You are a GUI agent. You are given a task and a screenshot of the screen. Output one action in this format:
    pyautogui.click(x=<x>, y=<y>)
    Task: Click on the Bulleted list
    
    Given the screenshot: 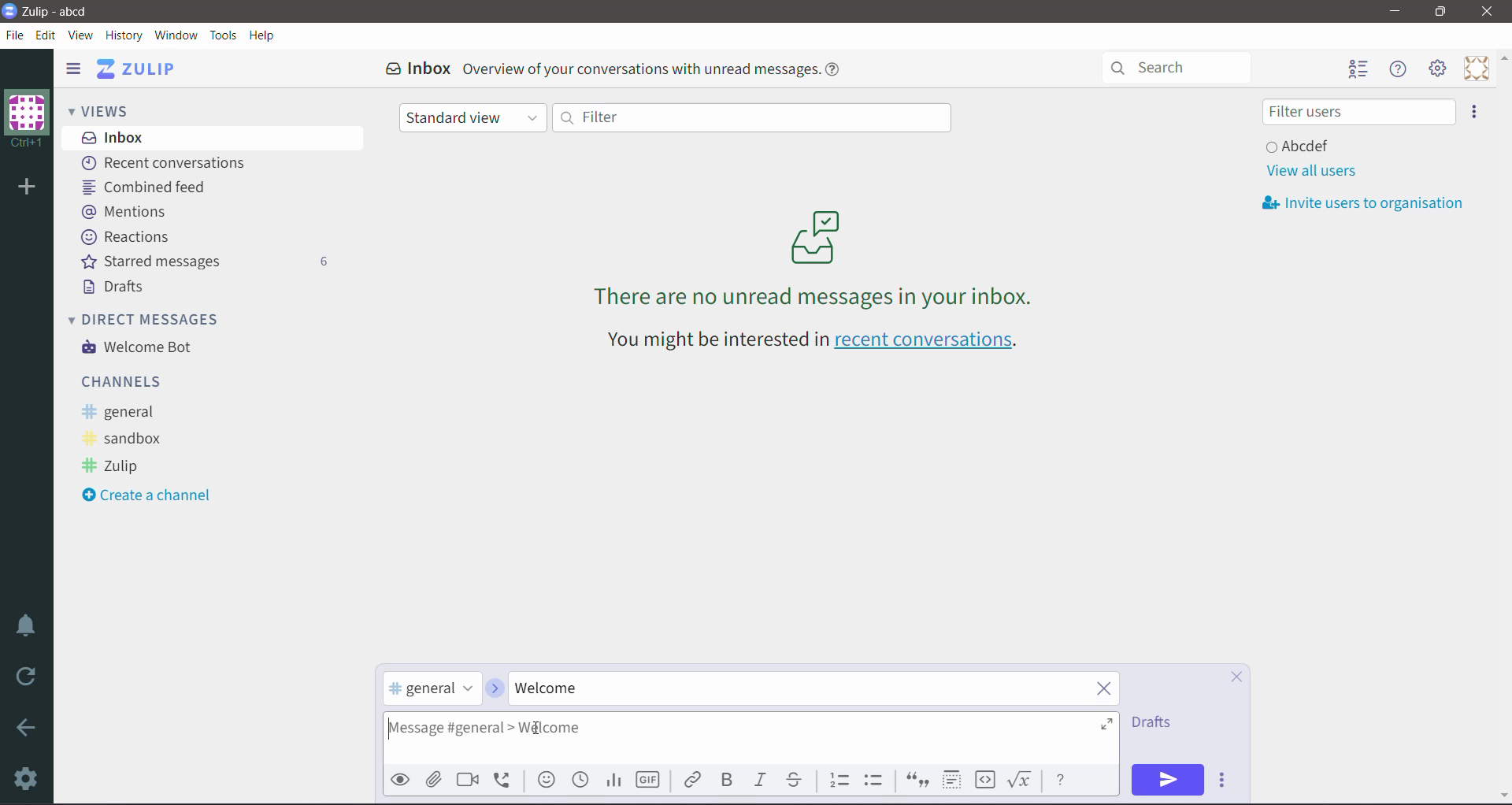 What is the action you would take?
    pyautogui.click(x=877, y=780)
    